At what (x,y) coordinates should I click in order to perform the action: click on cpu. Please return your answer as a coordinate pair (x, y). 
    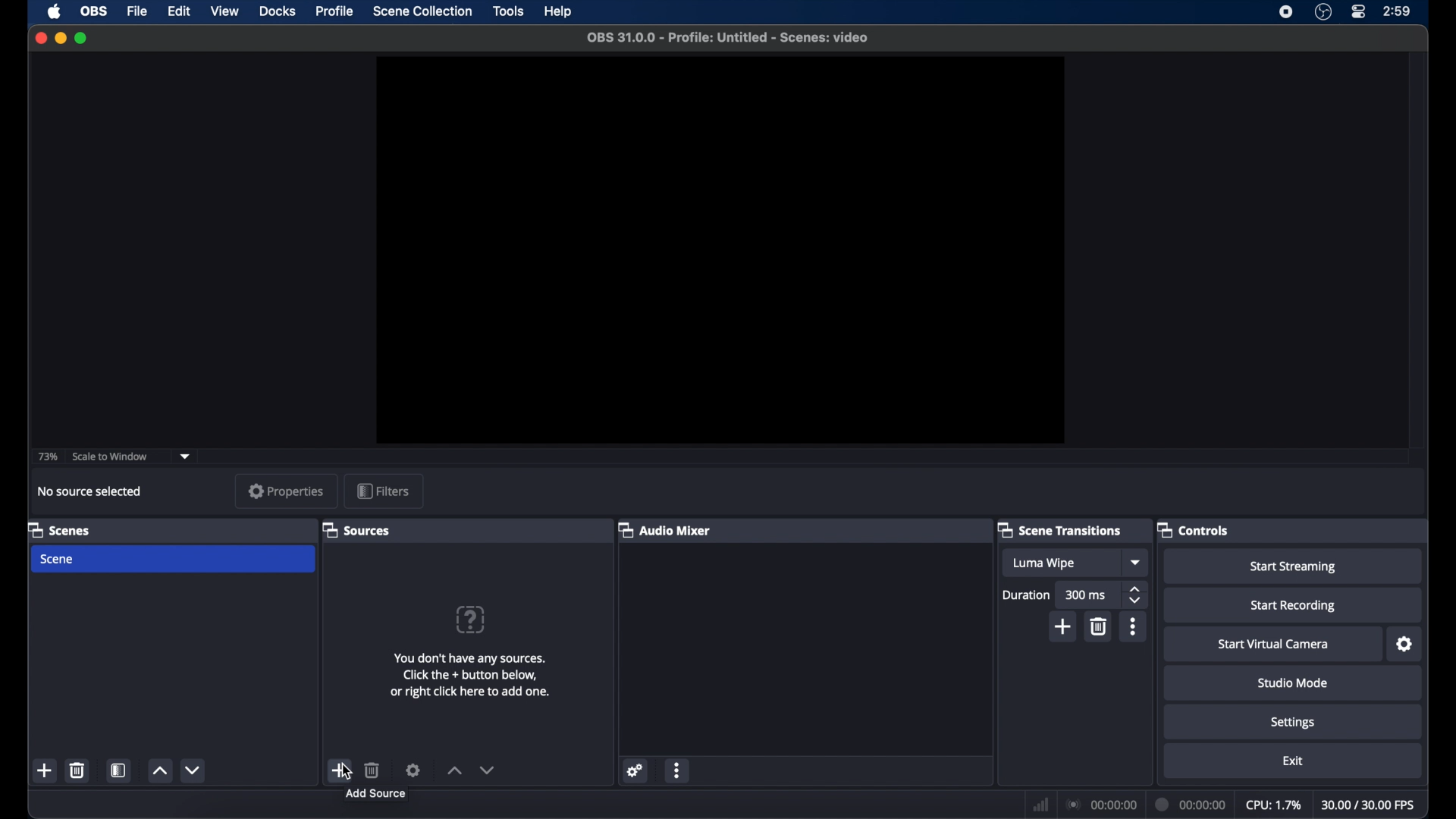
    Looking at the image, I should click on (1274, 805).